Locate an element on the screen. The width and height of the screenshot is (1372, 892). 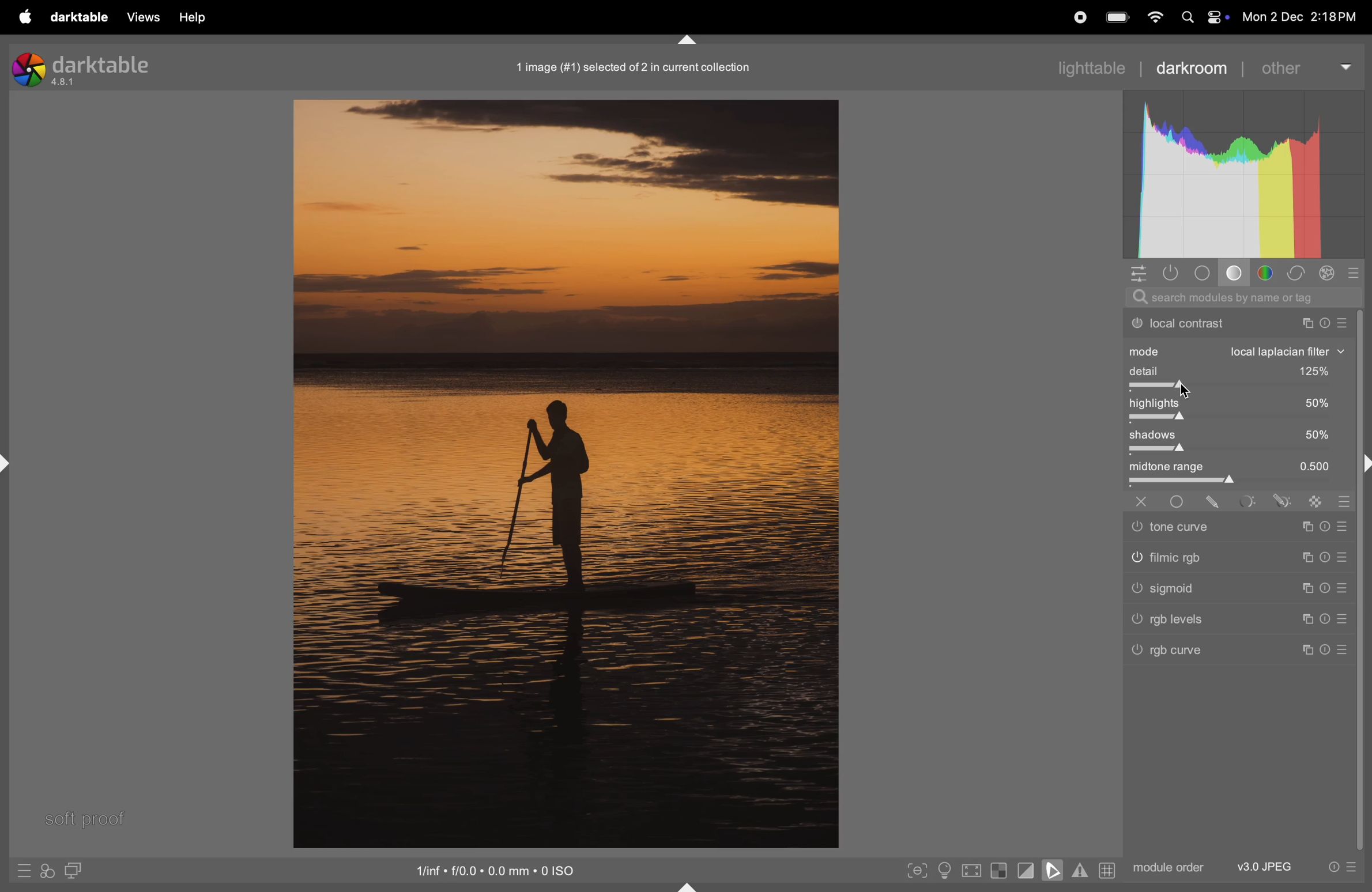
darkroom is located at coordinates (1192, 67).